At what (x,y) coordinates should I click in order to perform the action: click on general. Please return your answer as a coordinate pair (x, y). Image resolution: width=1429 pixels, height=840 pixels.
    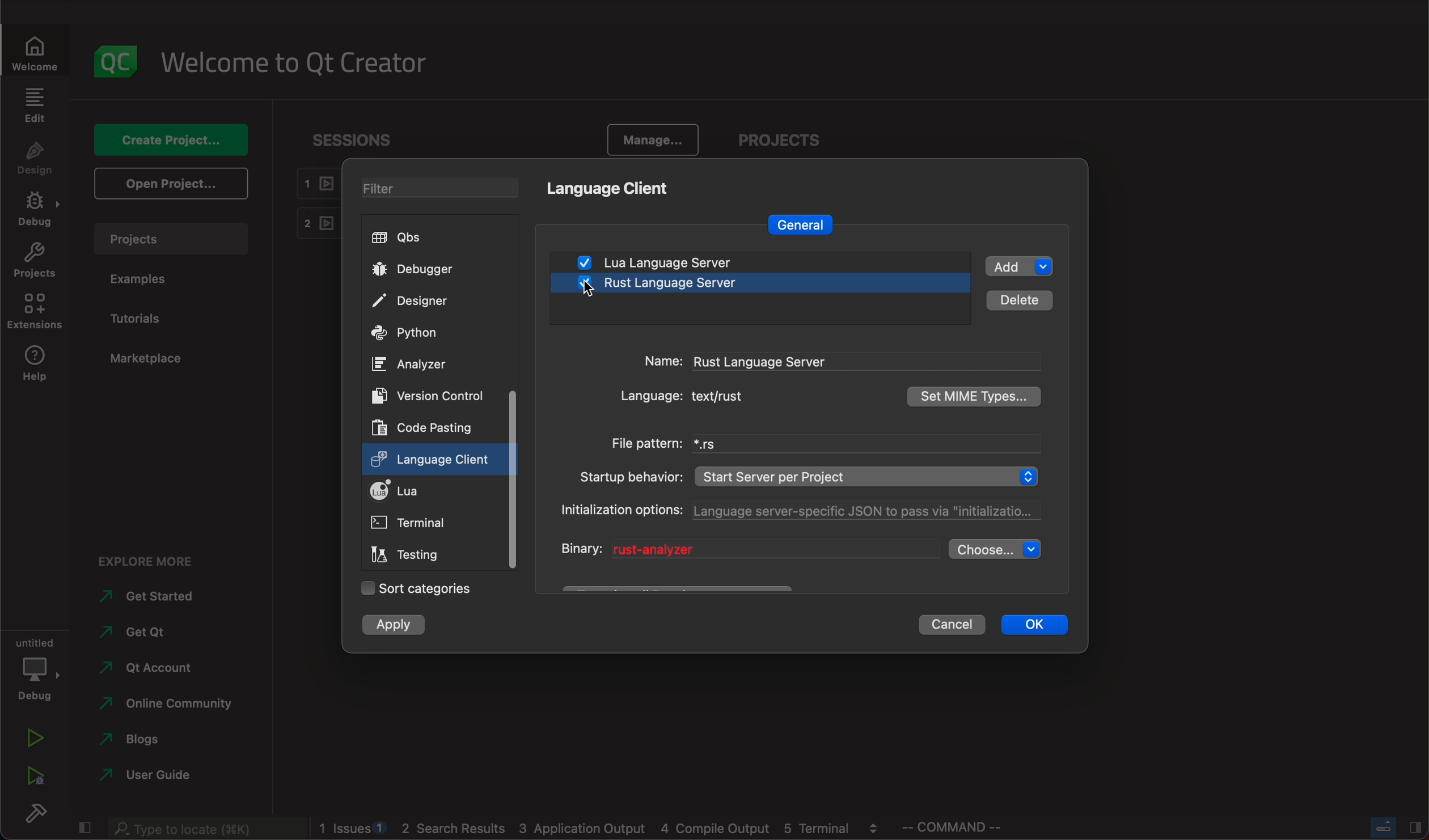
    Looking at the image, I should click on (807, 222).